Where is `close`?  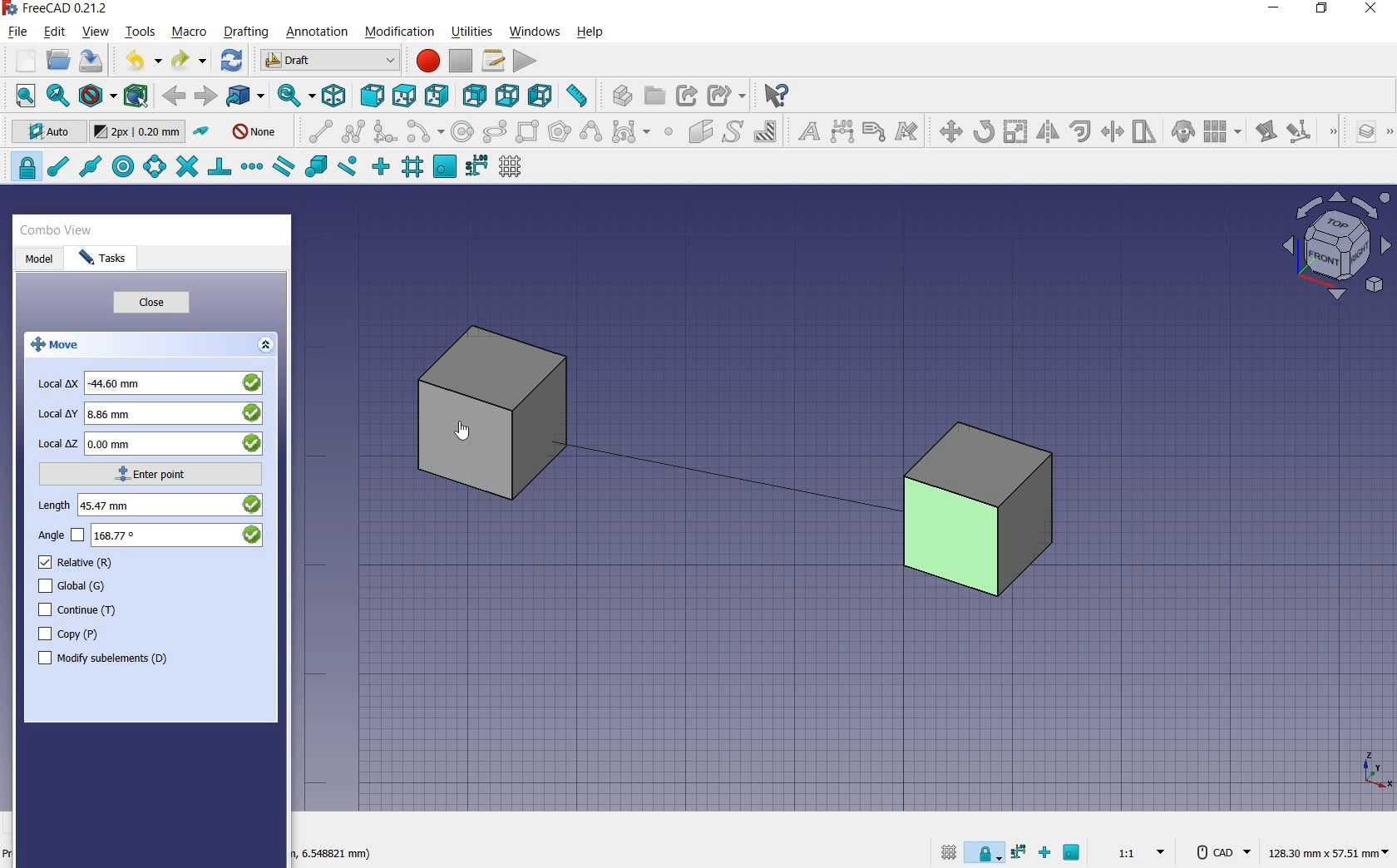
close is located at coordinates (1369, 10).